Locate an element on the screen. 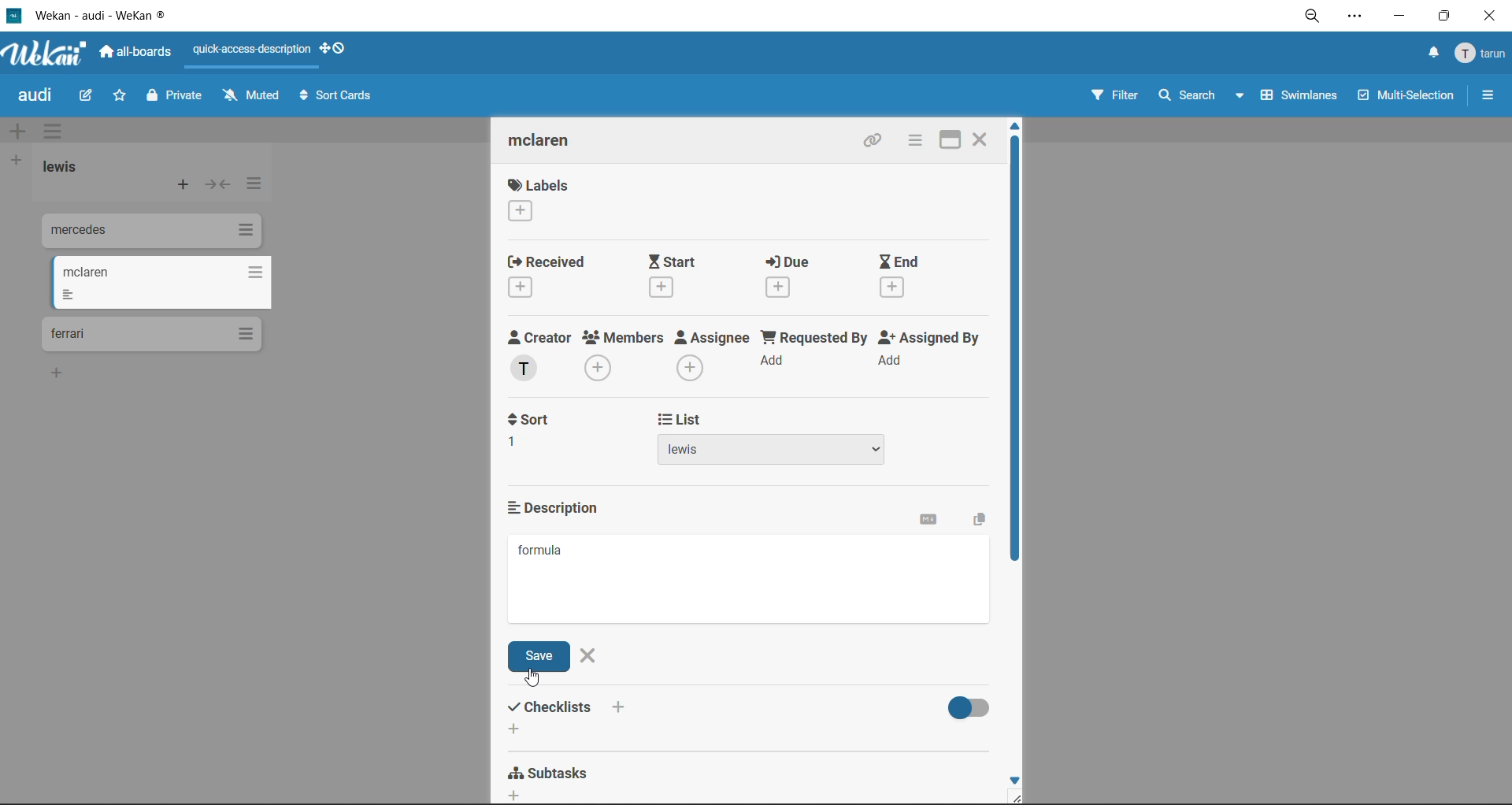 This screenshot has height=805, width=1512. labels is located at coordinates (539, 199).